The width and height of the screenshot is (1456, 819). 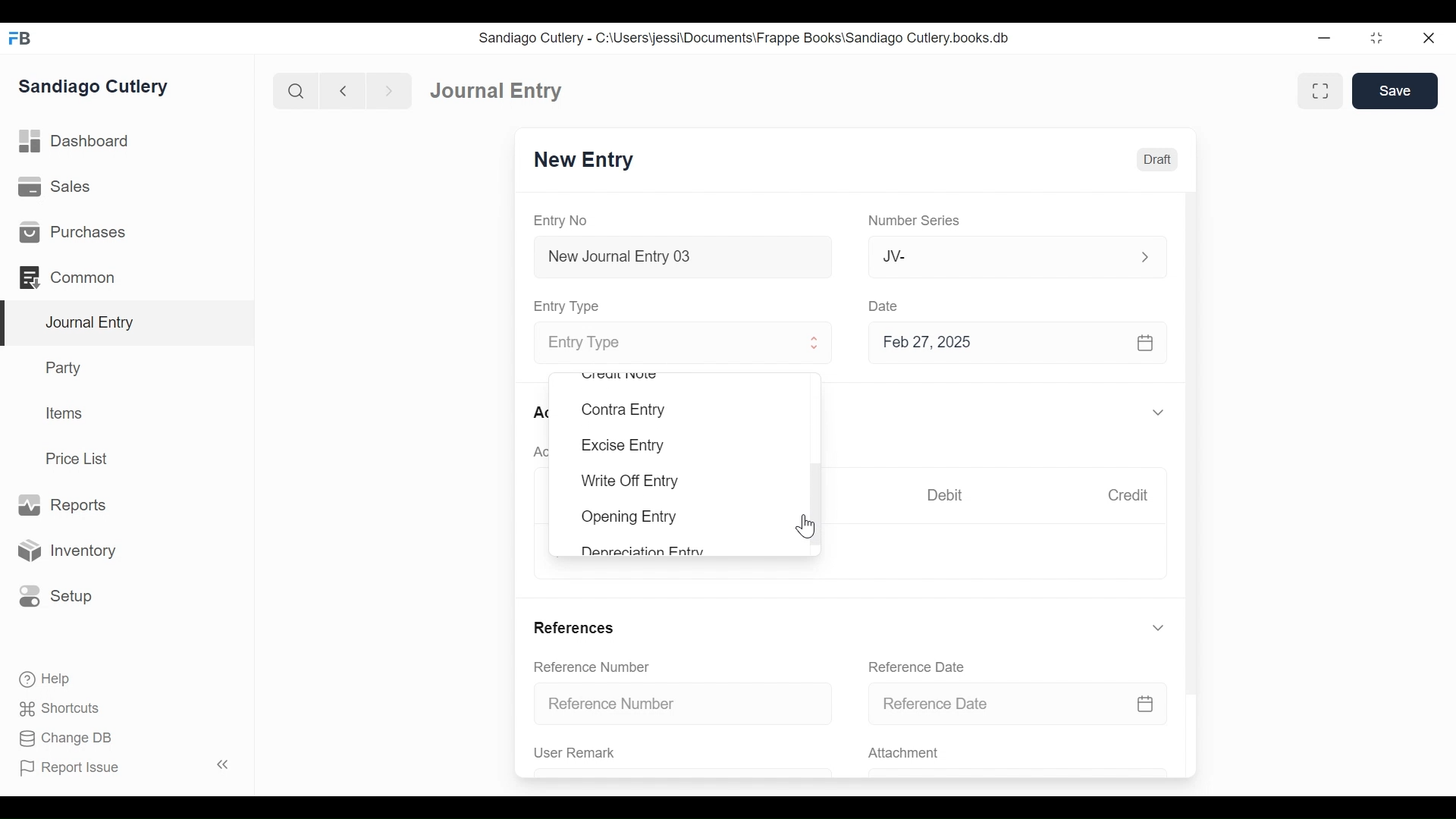 What do you see at coordinates (679, 706) in the screenshot?
I see `Reference Number` at bounding box center [679, 706].